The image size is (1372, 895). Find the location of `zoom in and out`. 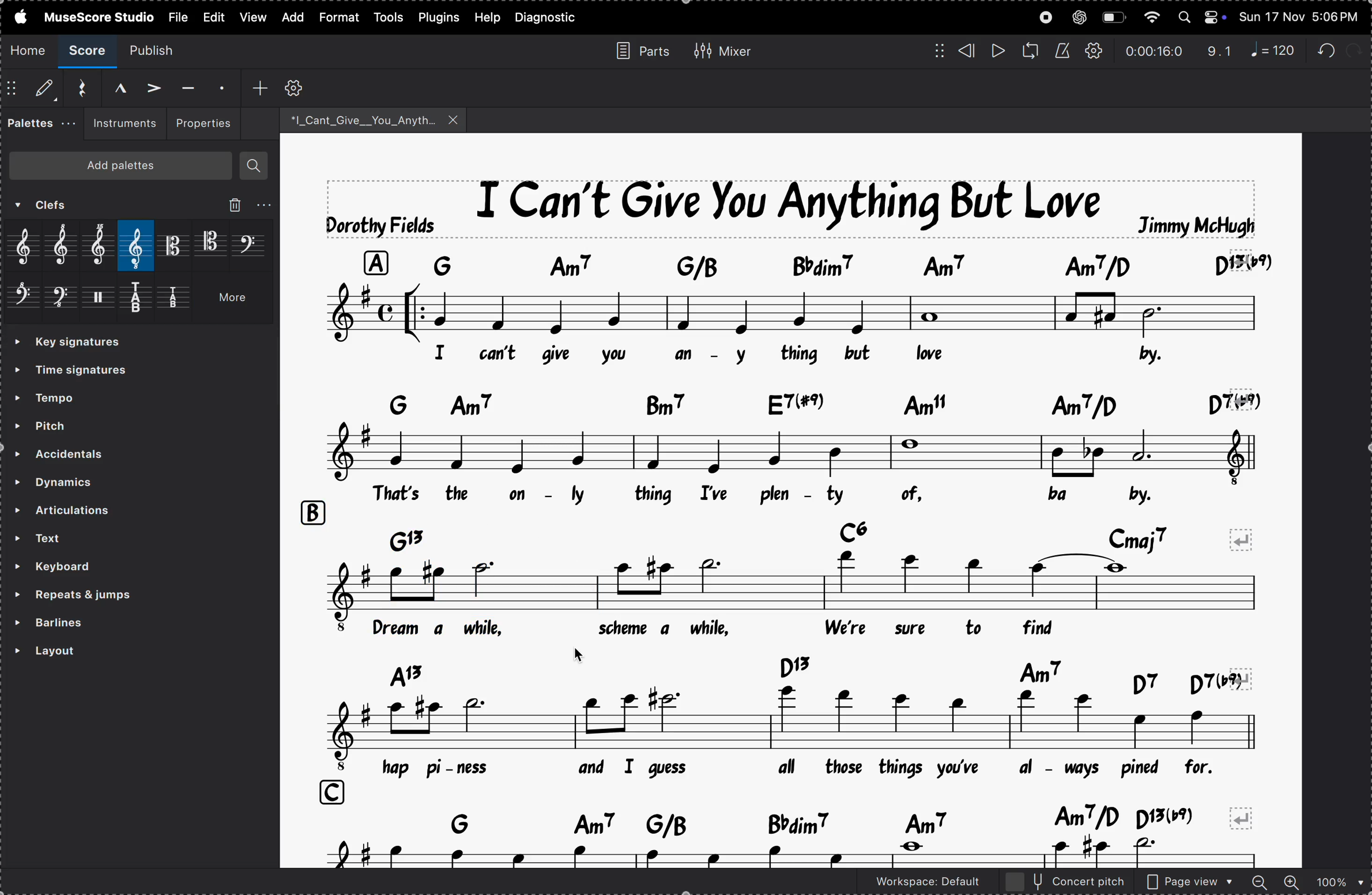

zoom in and out is located at coordinates (1307, 883).